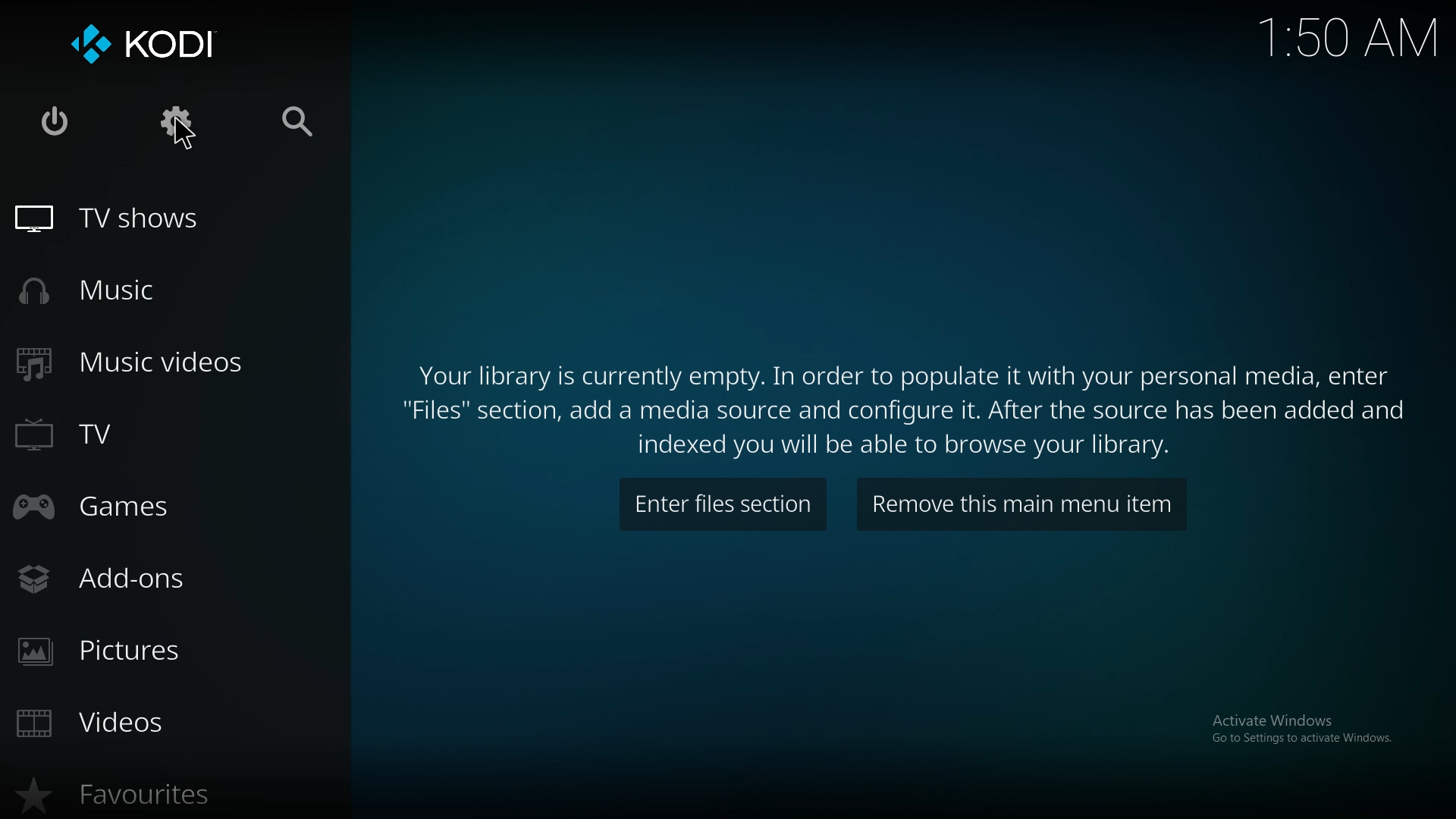 The width and height of the screenshot is (1456, 819). Describe the element at coordinates (1305, 736) in the screenshot. I see `Activate Windows
Go to Settings to activate Windows.` at that location.